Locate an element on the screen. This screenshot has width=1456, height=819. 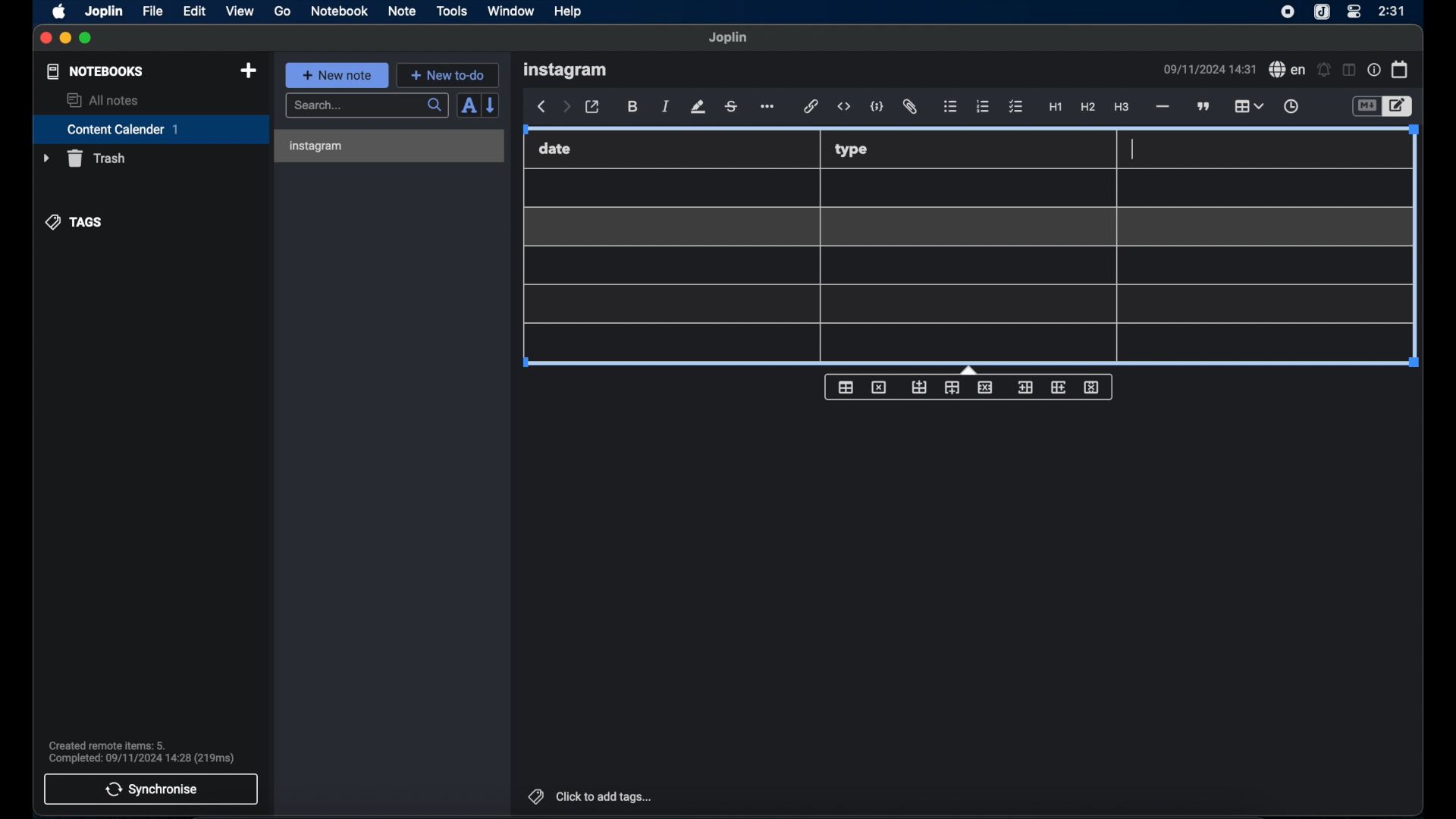
toggle editor is located at coordinates (1401, 105).